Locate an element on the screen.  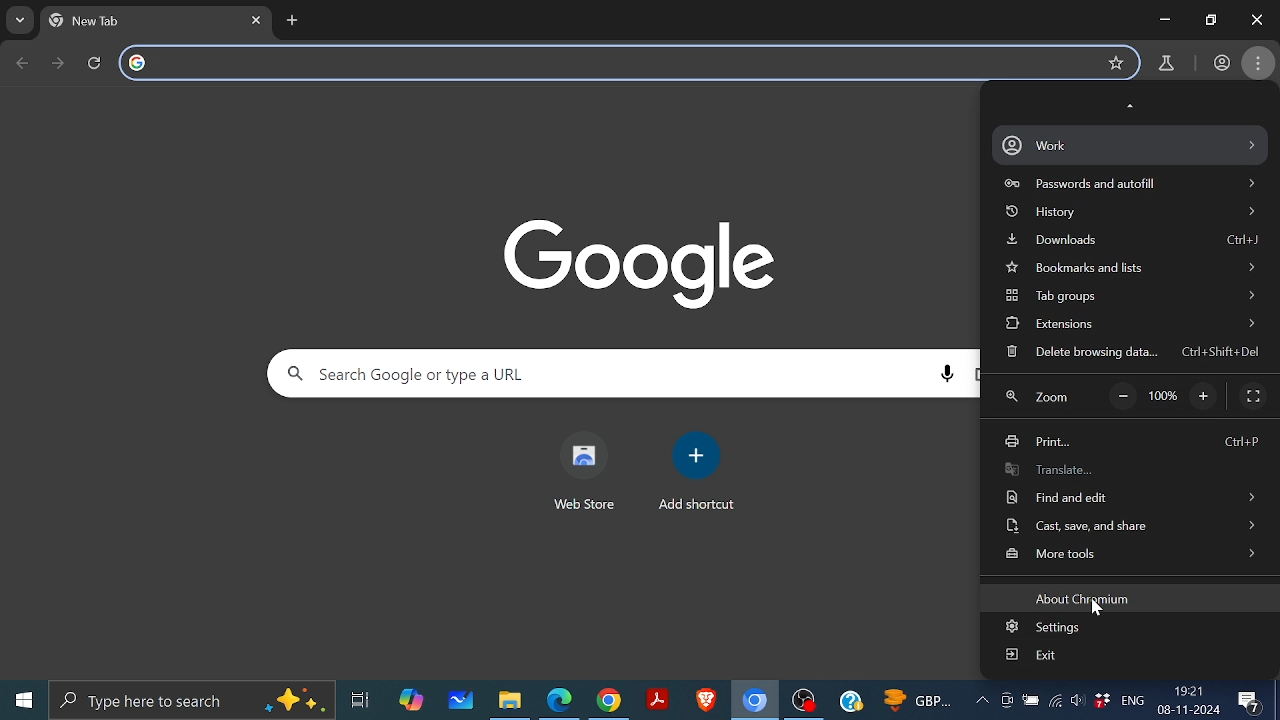
Delete browsing data ctrl+shift+del is located at coordinates (1129, 352).